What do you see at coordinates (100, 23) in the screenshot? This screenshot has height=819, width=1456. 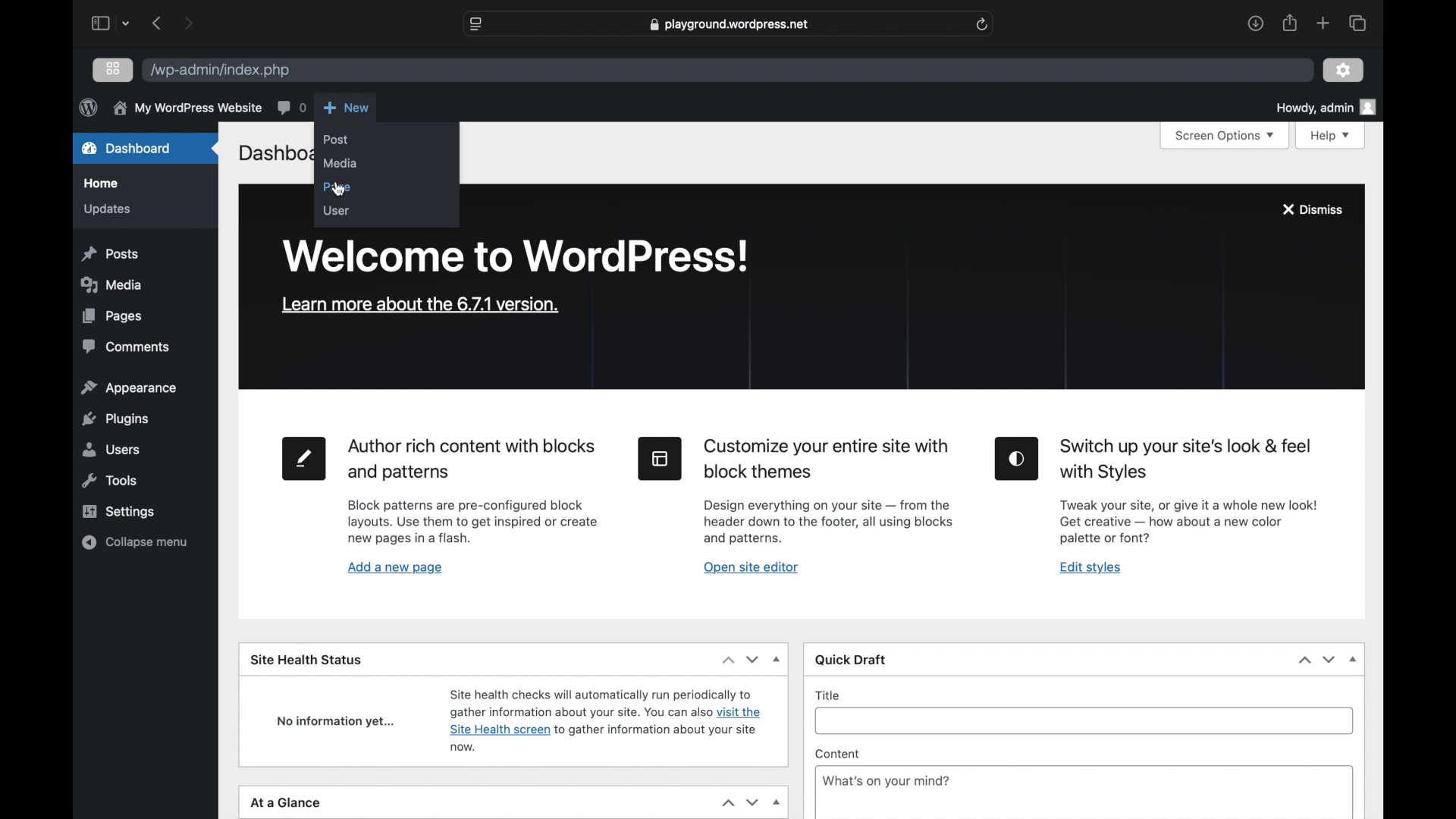 I see `show sidebar` at bounding box center [100, 23].